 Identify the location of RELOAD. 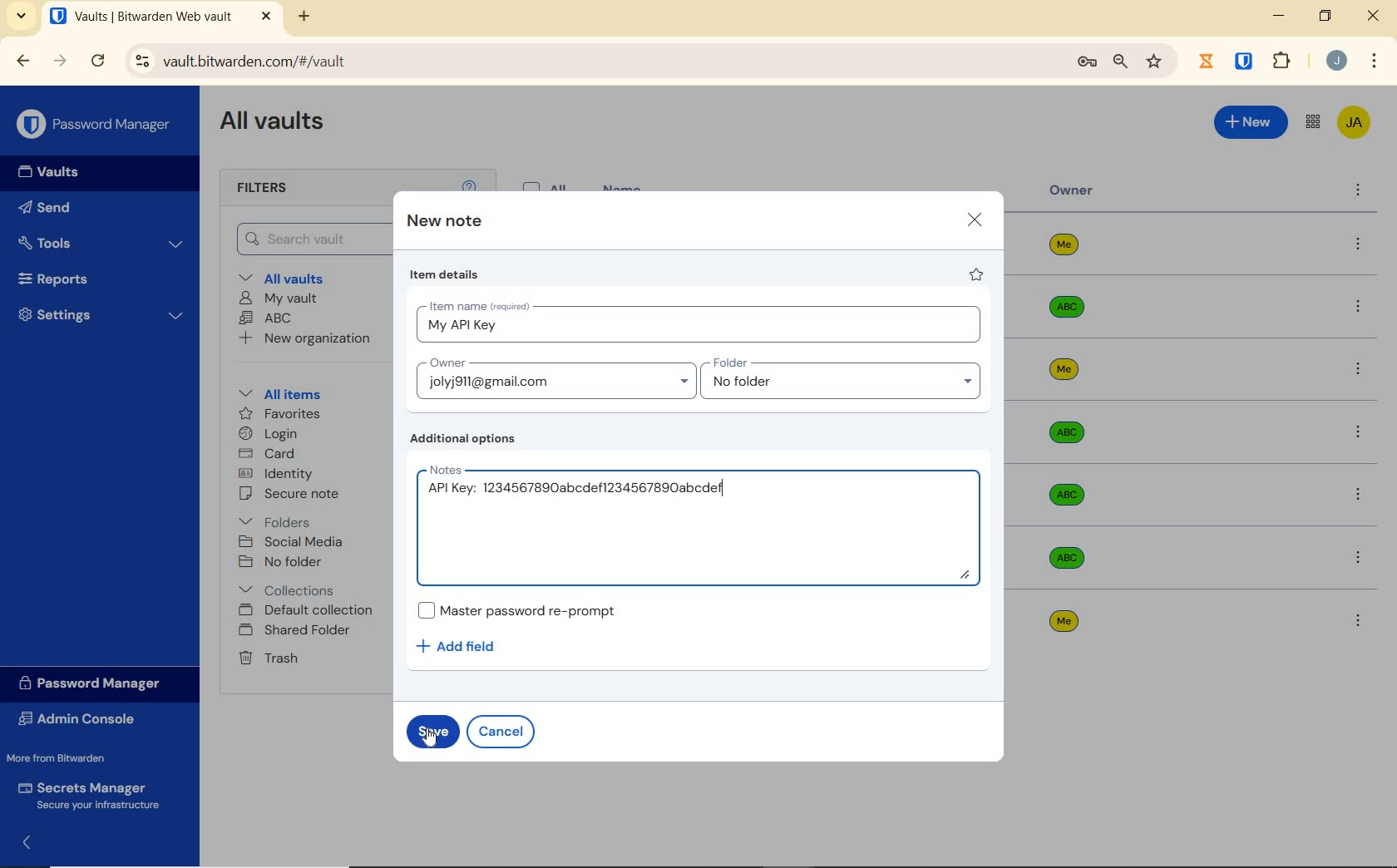
(99, 62).